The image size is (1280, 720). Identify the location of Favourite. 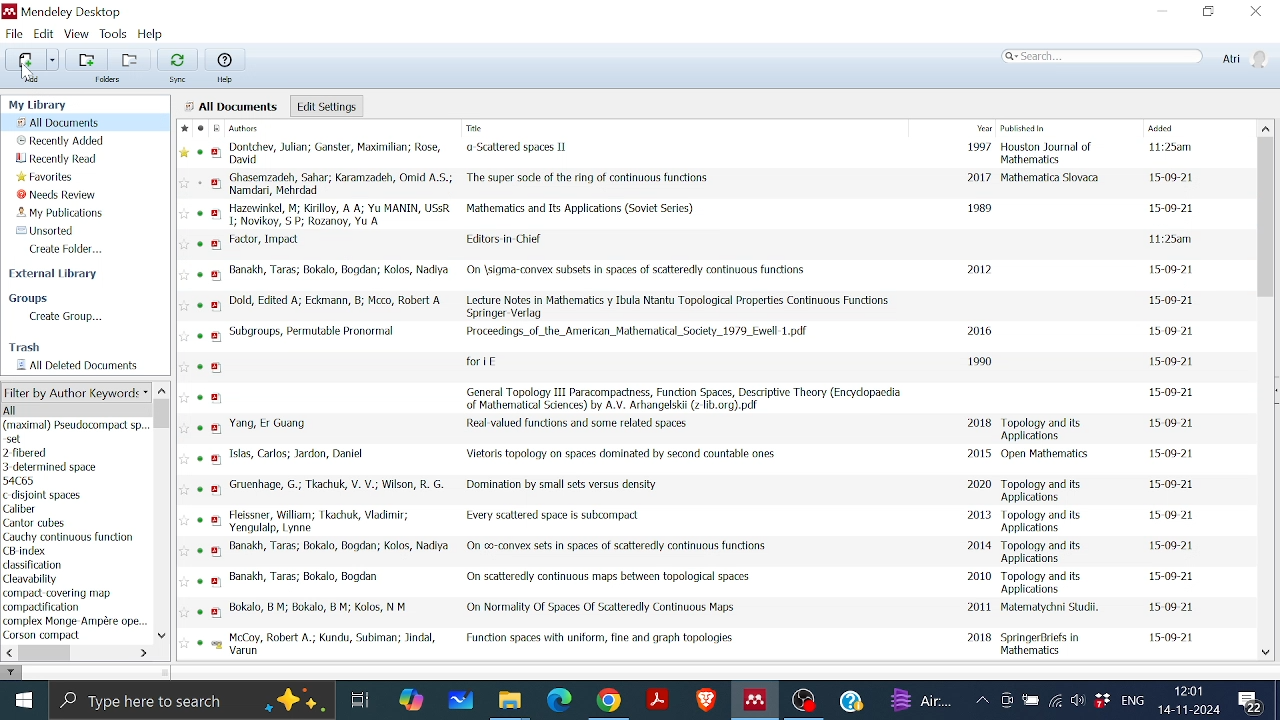
(186, 129).